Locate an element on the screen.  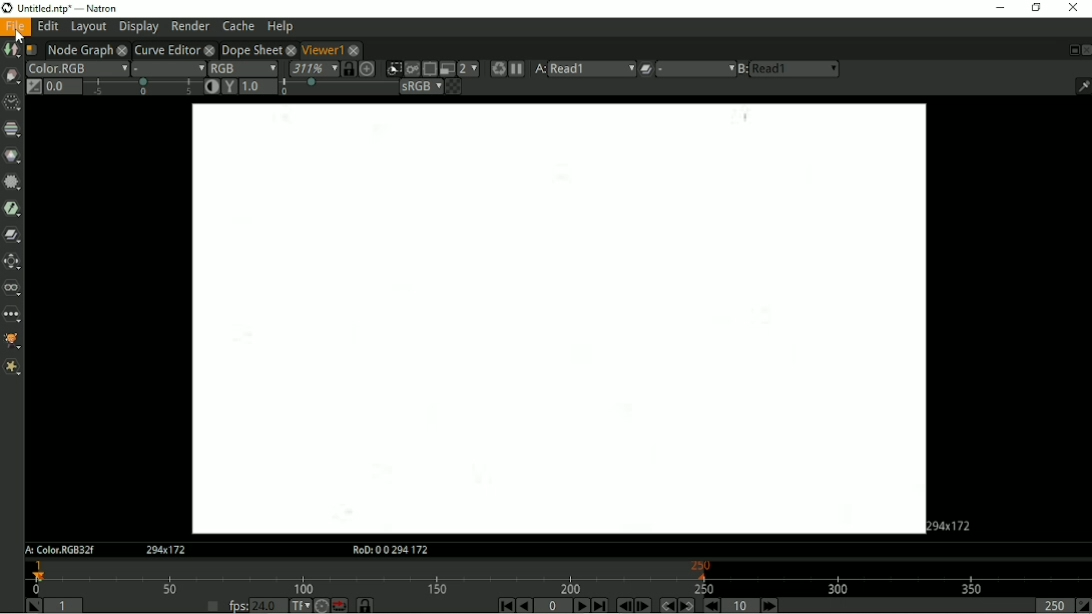
Node Graph is located at coordinates (78, 49).